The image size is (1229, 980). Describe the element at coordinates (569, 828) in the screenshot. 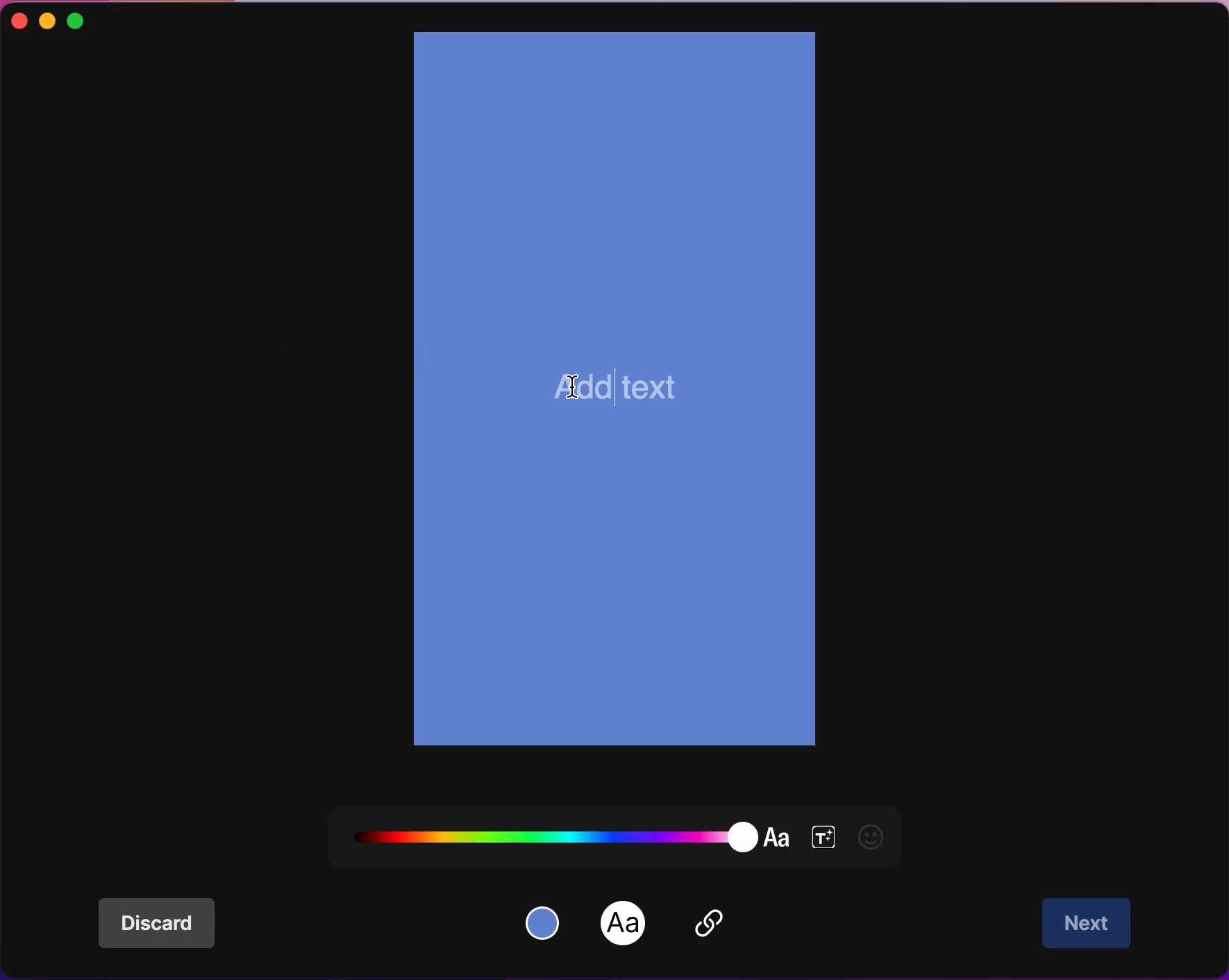

I see `font color palette` at that location.